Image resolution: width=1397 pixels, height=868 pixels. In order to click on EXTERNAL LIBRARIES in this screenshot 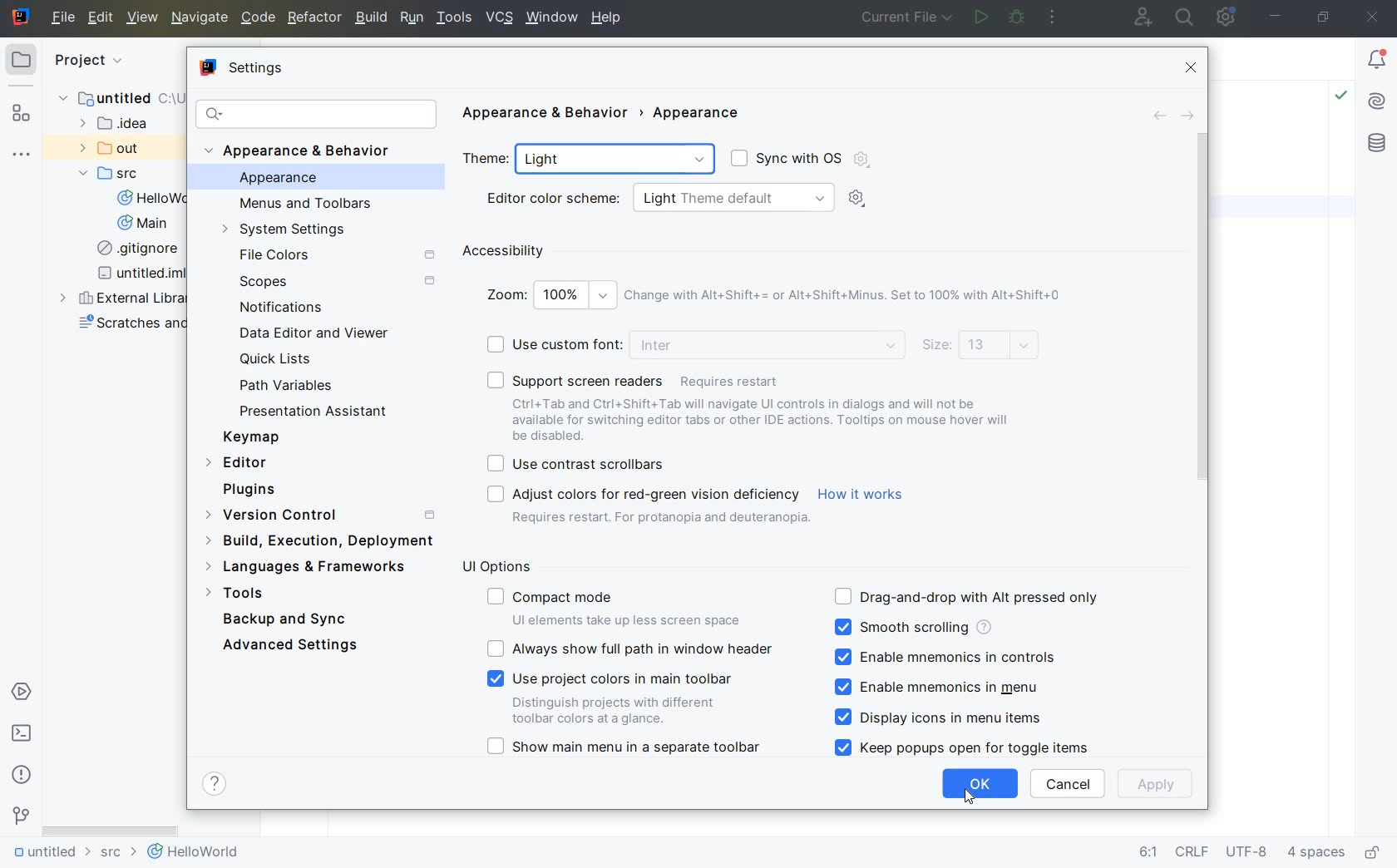, I will do `click(124, 298)`.